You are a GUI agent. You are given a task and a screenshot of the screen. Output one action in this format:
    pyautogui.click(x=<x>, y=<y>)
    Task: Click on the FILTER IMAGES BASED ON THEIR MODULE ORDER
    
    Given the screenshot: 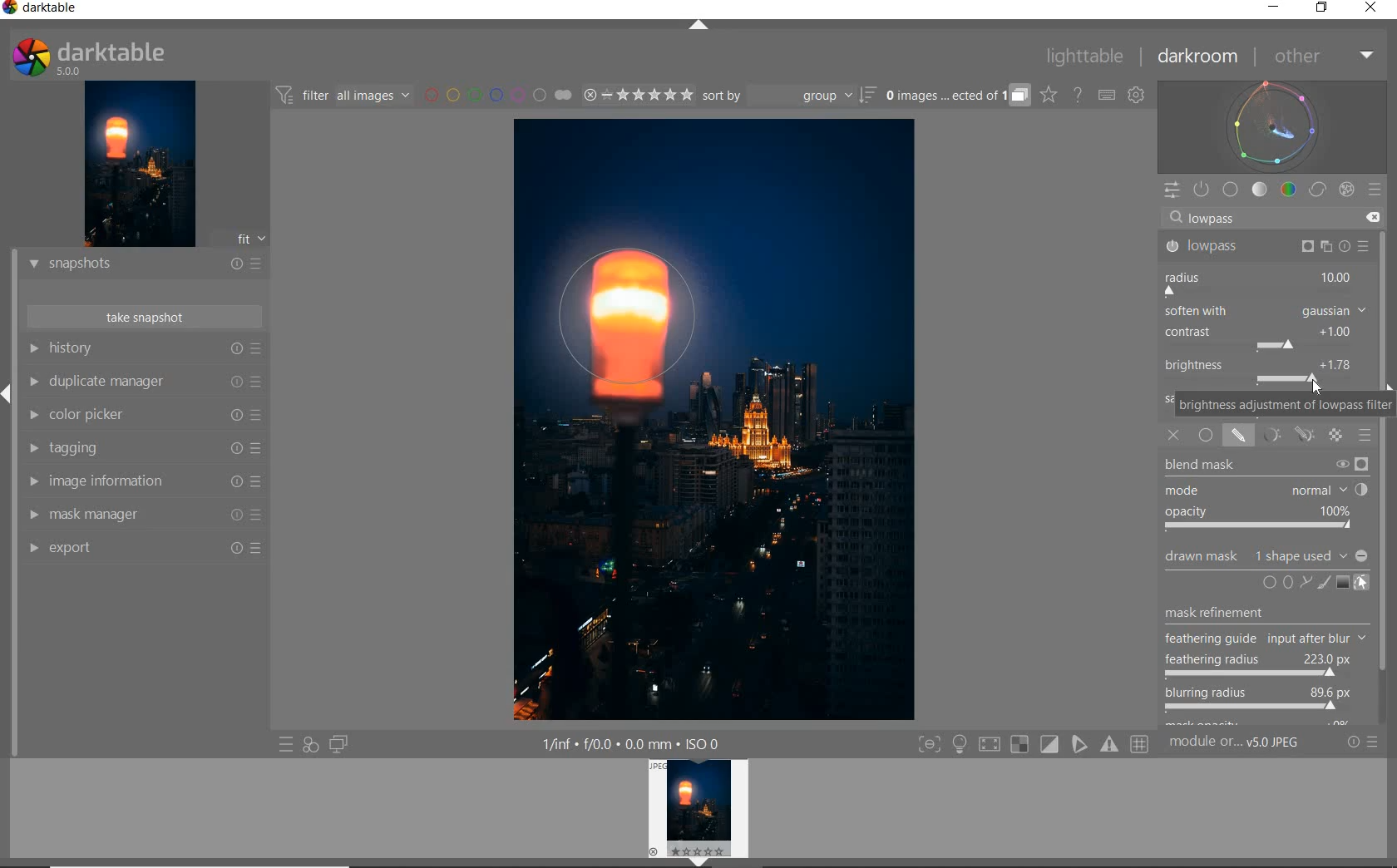 What is the action you would take?
    pyautogui.click(x=345, y=96)
    